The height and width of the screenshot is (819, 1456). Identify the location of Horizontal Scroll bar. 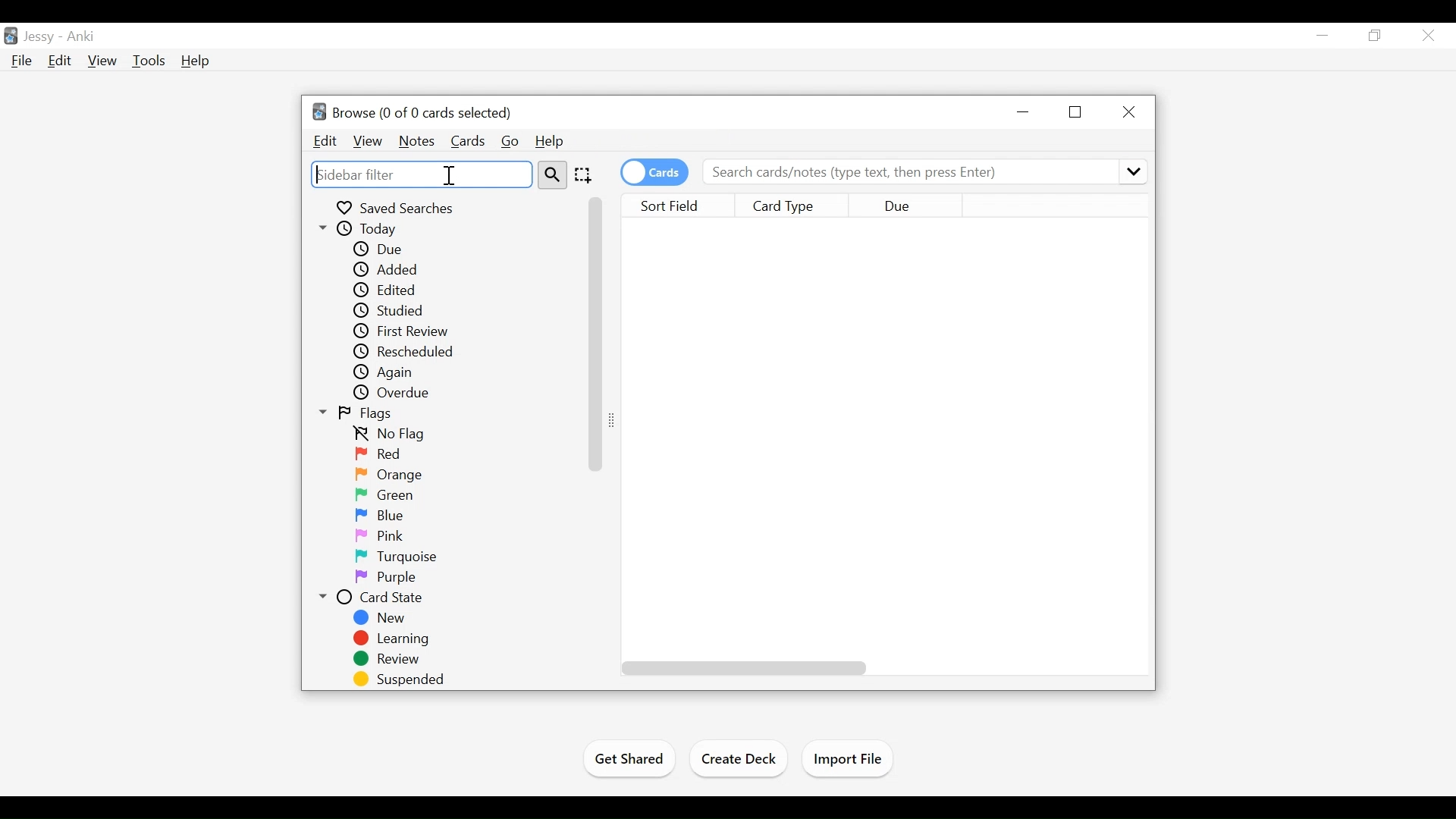
(745, 667).